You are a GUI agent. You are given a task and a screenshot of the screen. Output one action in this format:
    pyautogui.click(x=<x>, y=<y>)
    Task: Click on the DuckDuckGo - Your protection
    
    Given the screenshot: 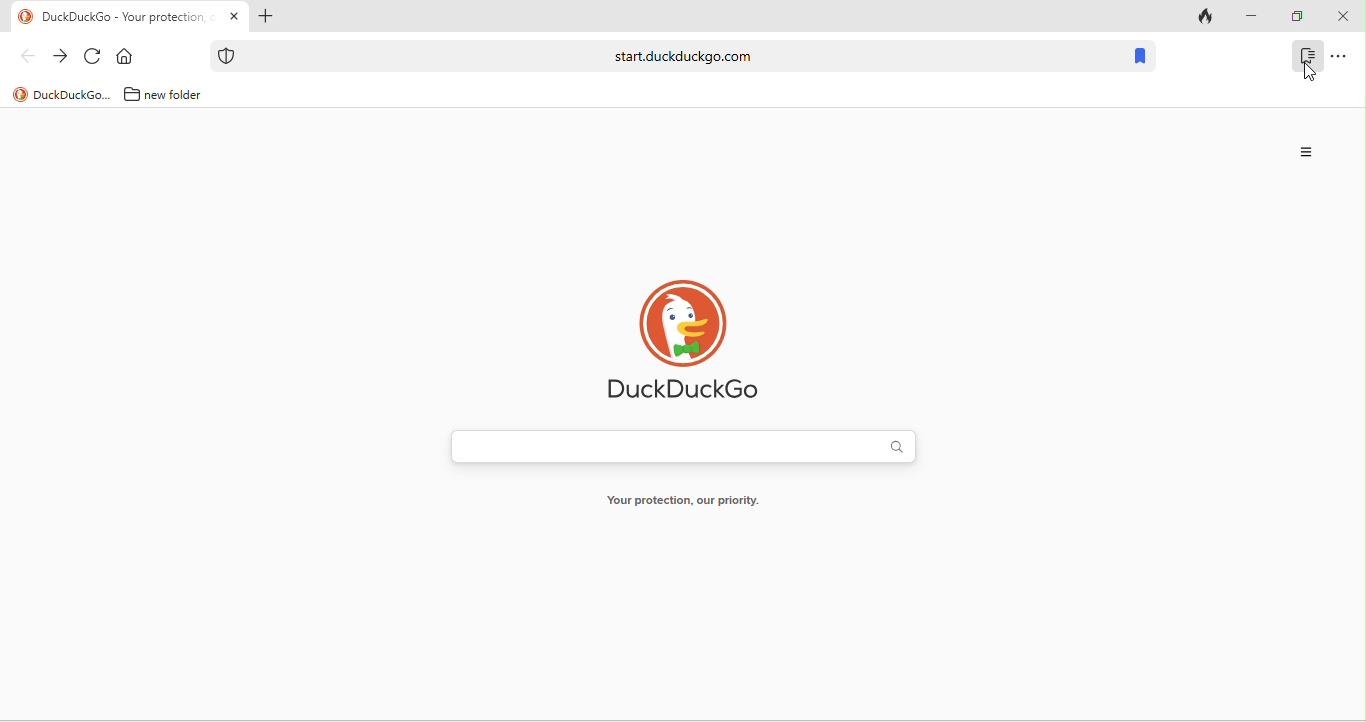 What is the action you would take?
    pyautogui.click(x=128, y=18)
    